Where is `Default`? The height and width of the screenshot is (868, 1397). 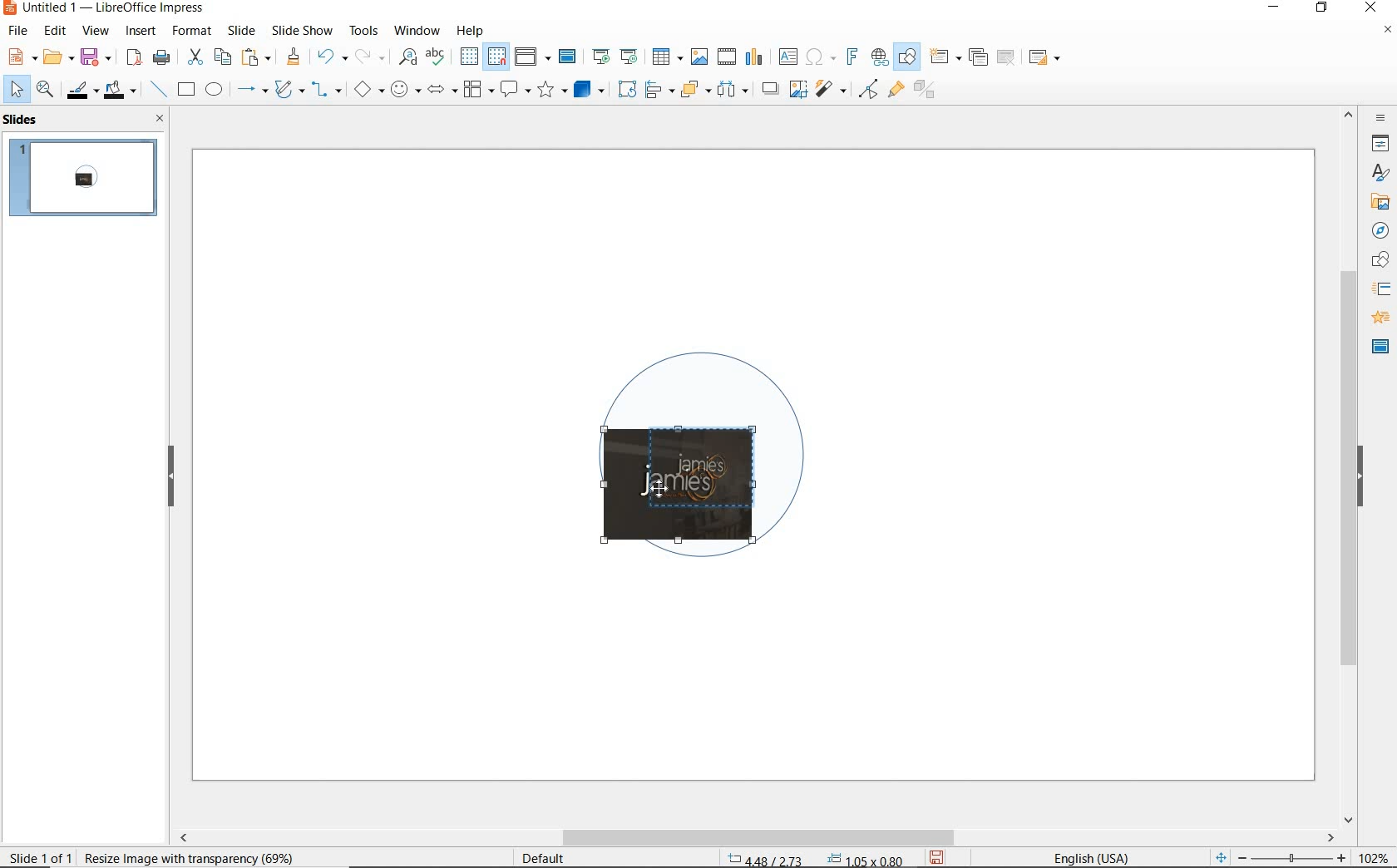 Default is located at coordinates (545, 858).